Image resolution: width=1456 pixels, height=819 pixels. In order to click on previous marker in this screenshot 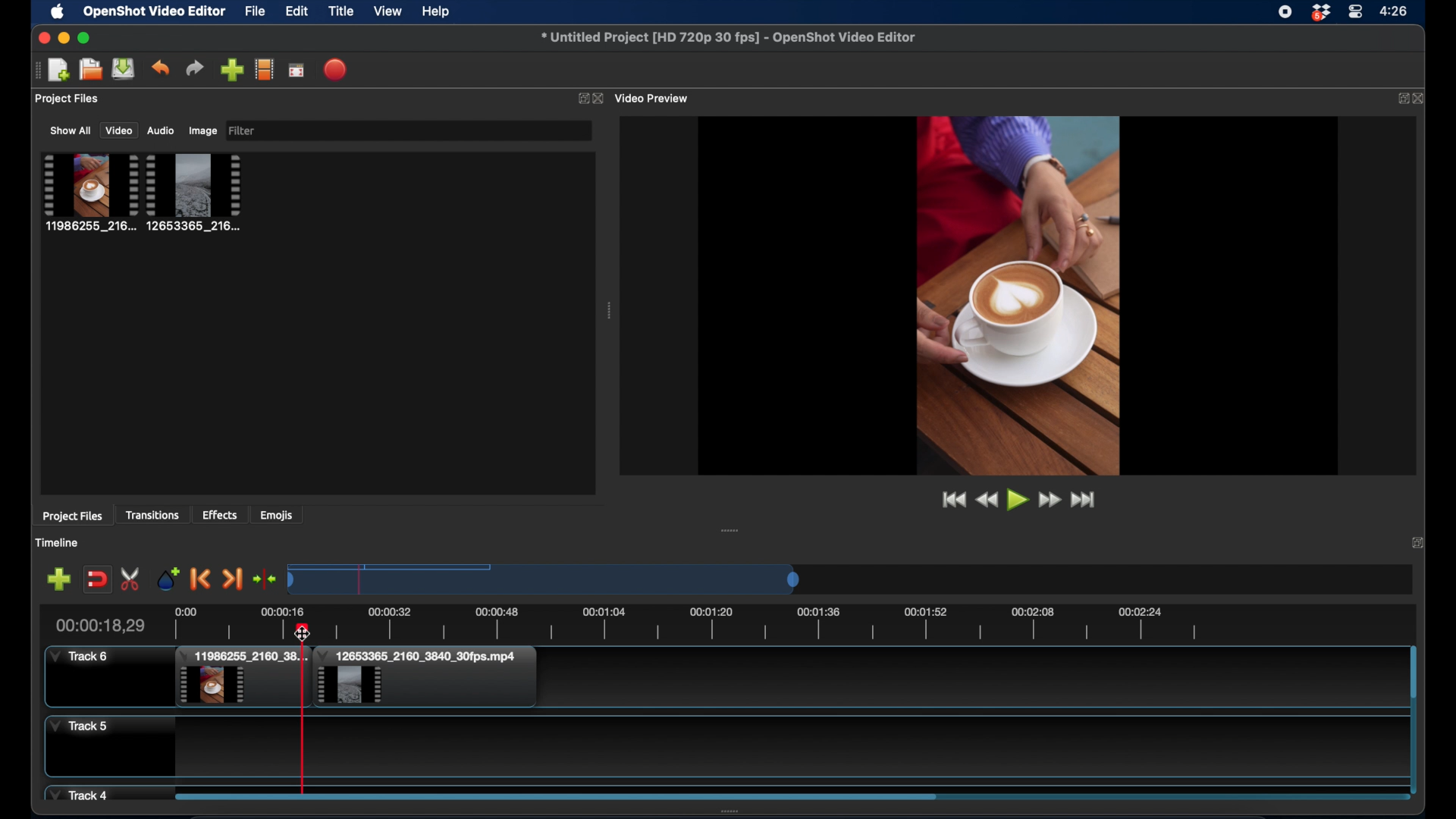, I will do `click(202, 580)`.